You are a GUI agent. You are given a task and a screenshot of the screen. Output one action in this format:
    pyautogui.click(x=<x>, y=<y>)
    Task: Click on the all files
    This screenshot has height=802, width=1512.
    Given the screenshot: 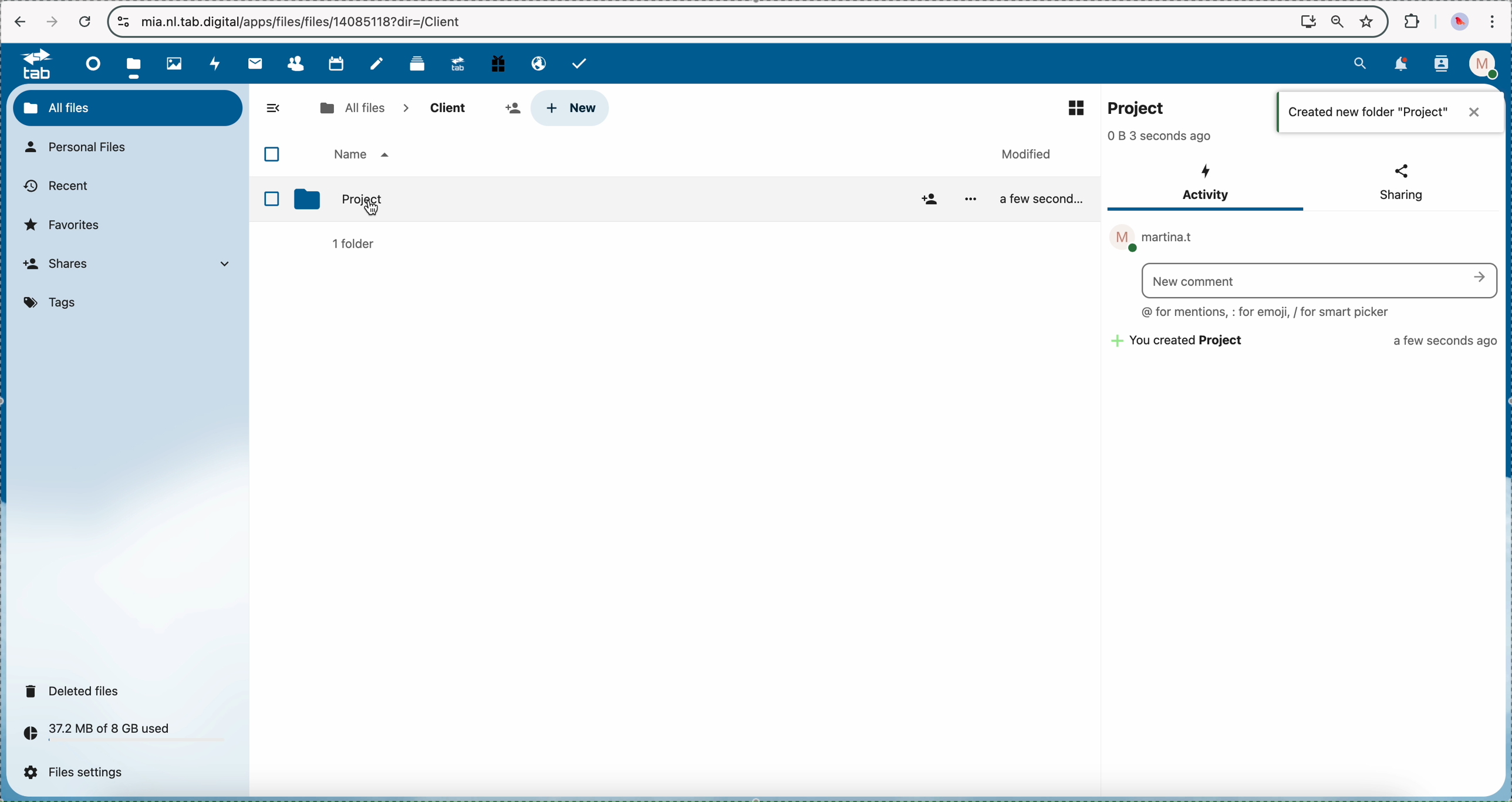 What is the action you would take?
    pyautogui.click(x=352, y=108)
    